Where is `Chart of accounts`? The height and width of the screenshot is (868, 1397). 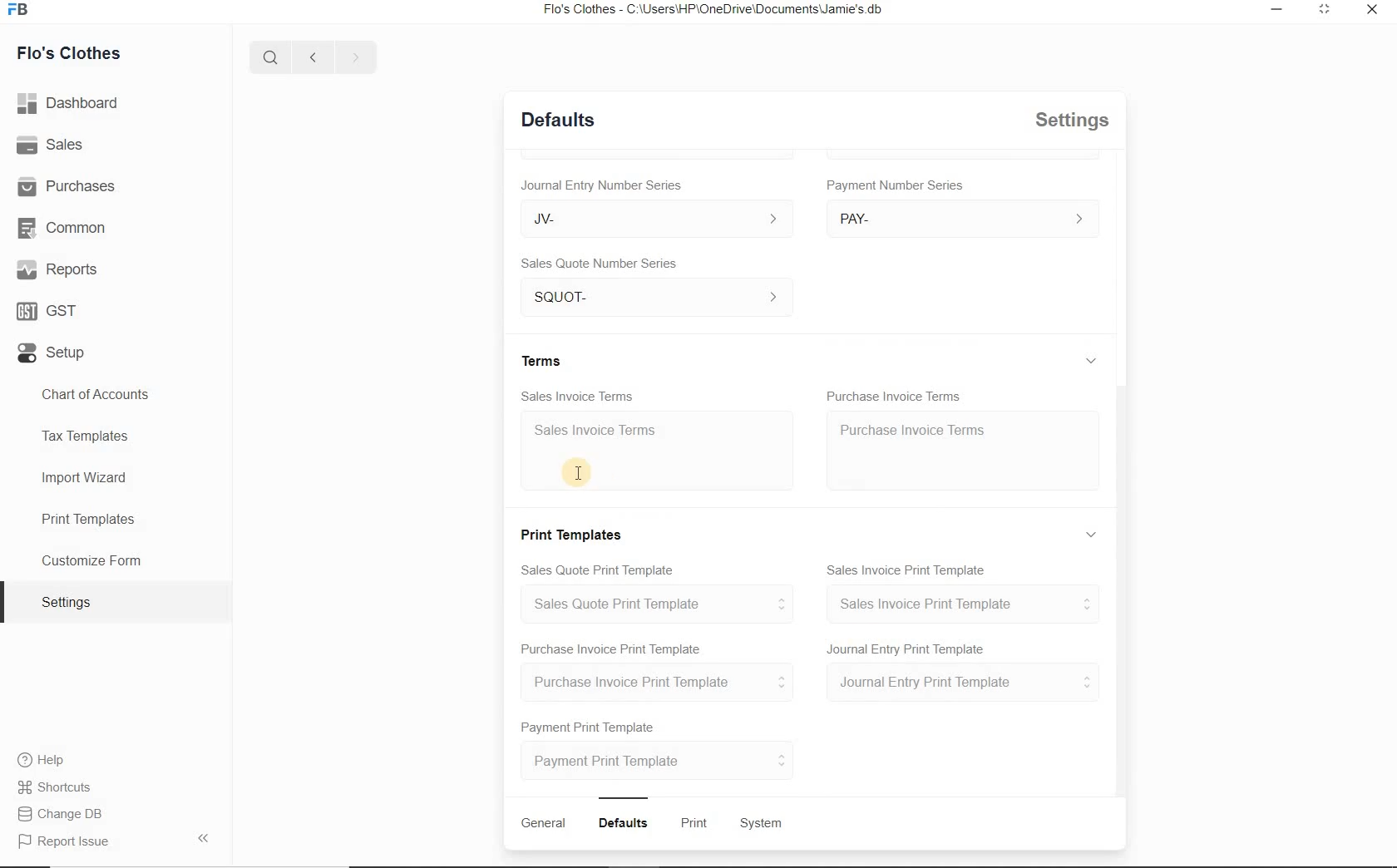 Chart of accounts is located at coordinates (116, 395).